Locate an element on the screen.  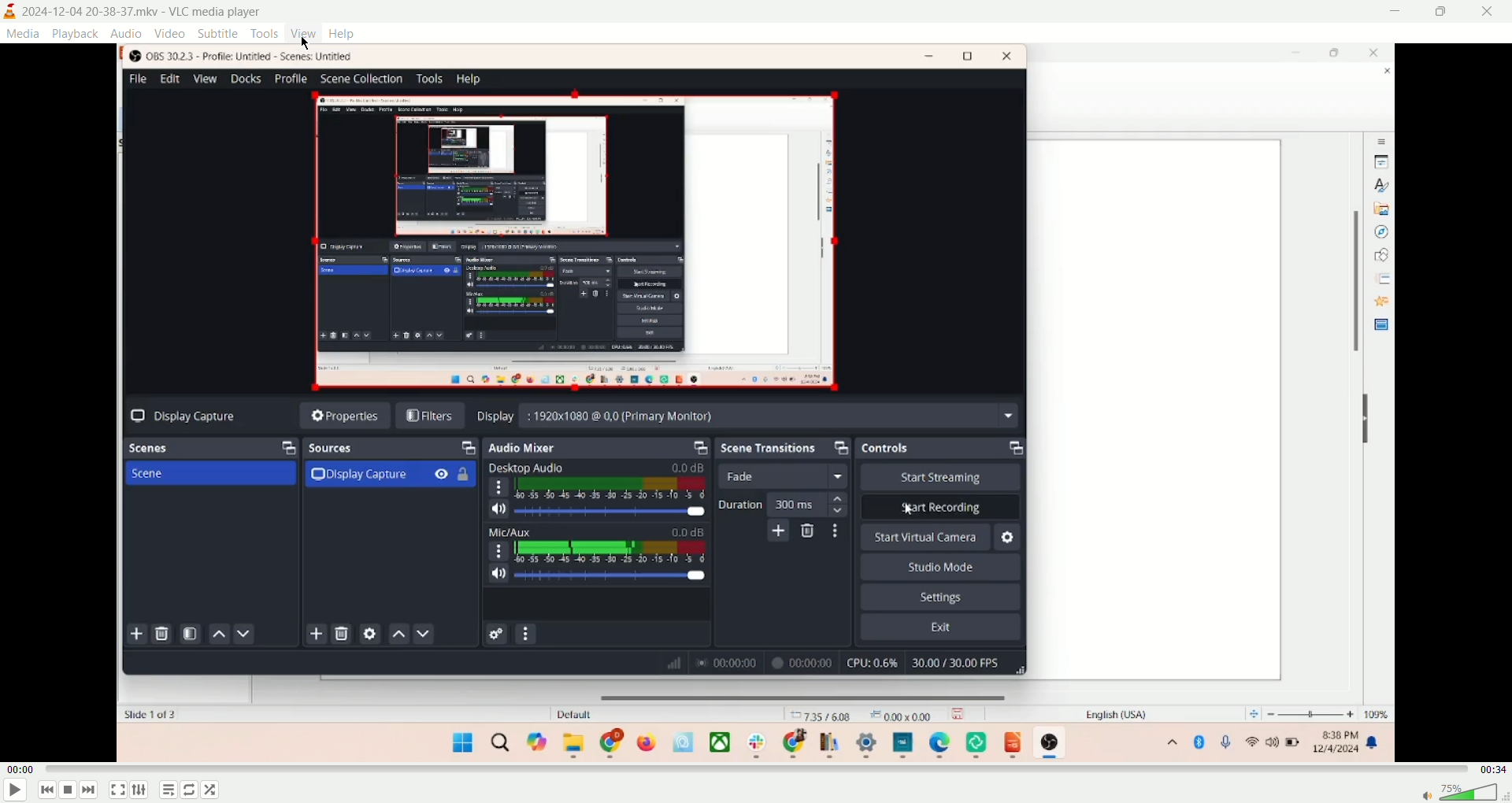
view is located at coordinates (302, 33).